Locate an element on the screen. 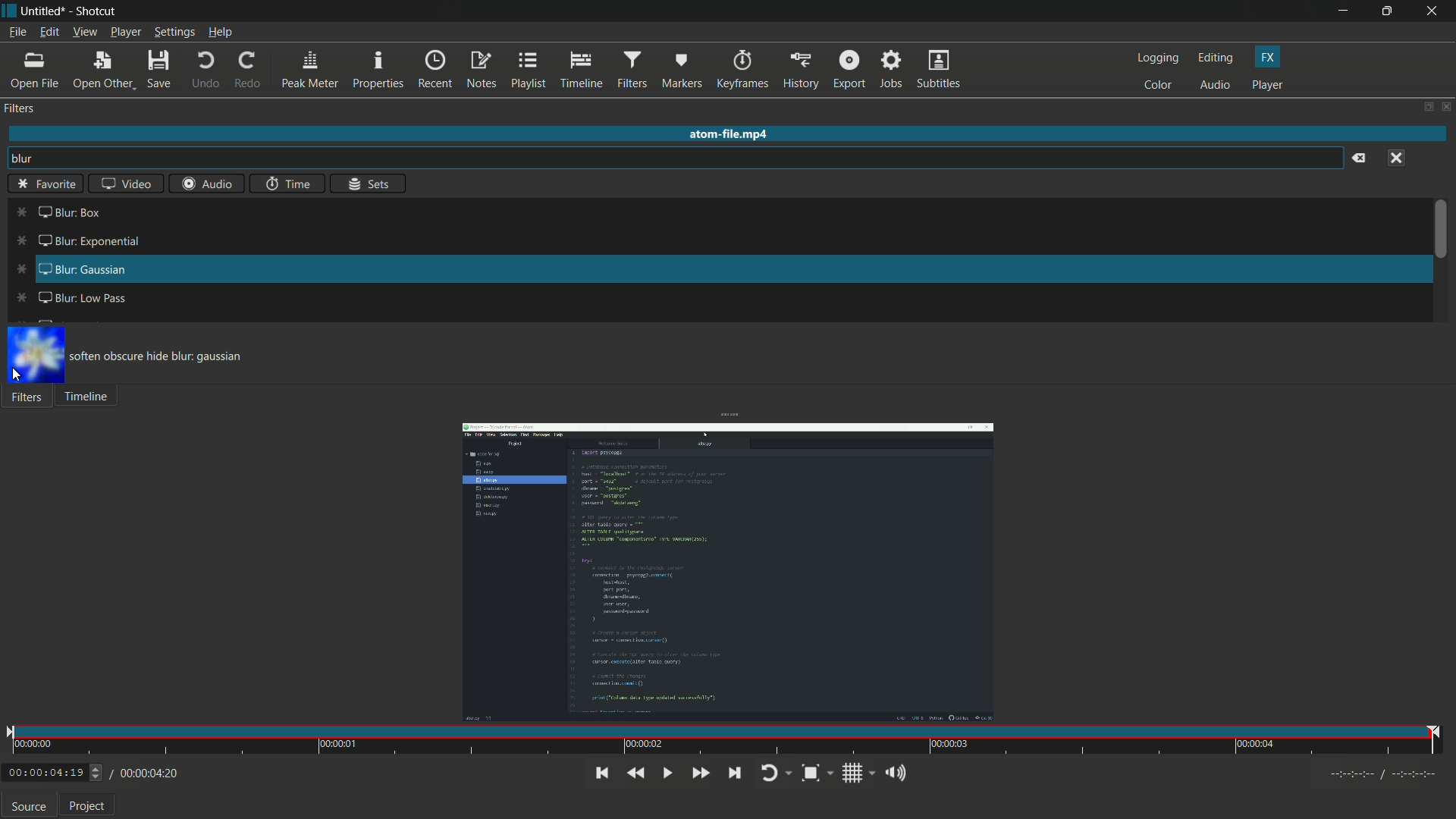 The image size is (1456, 819). atom-file.mp4 (file name) is located at coordinates (729, 132).